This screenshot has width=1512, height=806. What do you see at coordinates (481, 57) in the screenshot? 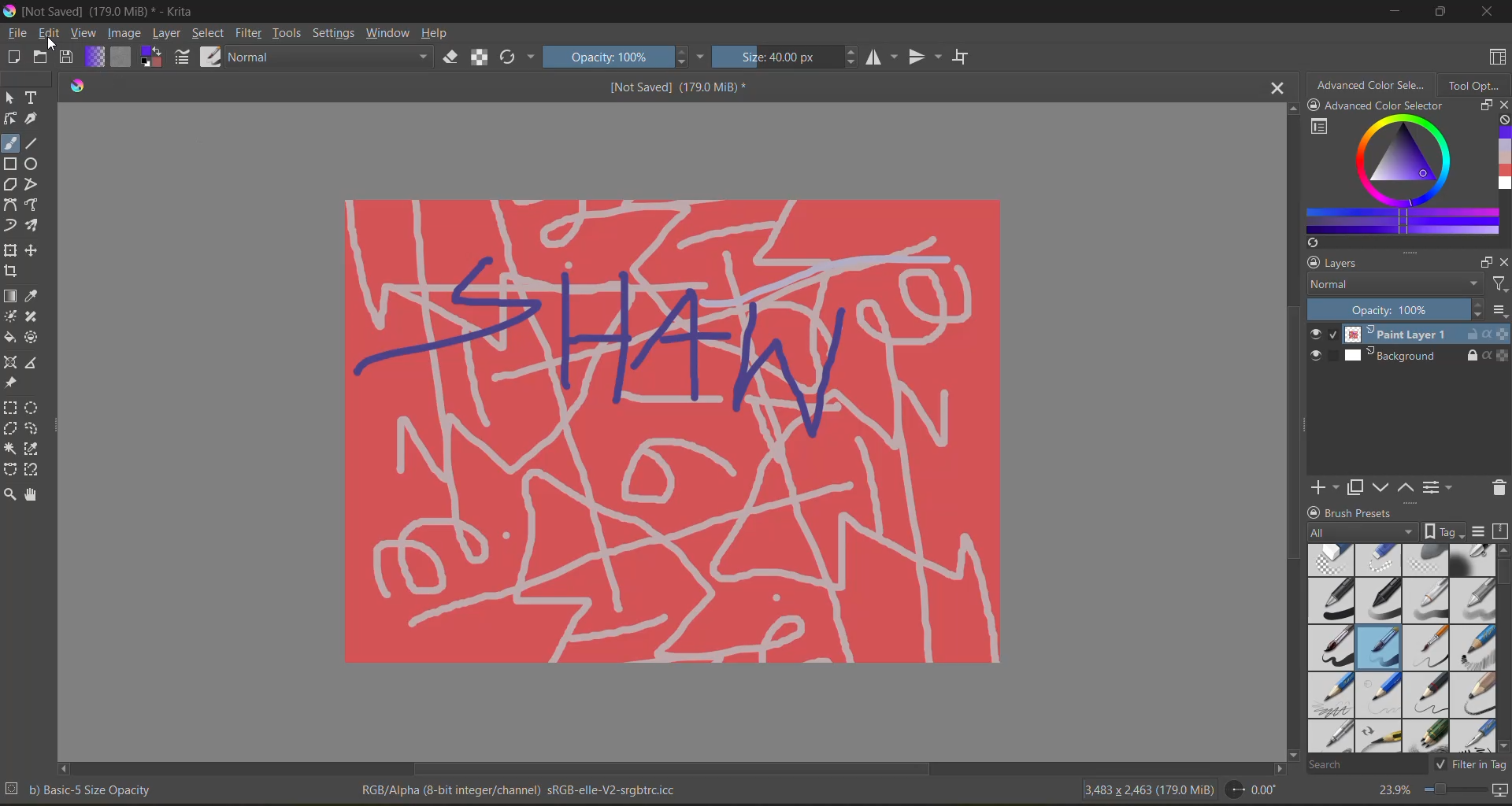
I see `preserve alpha` at bounding box center [481, 57].